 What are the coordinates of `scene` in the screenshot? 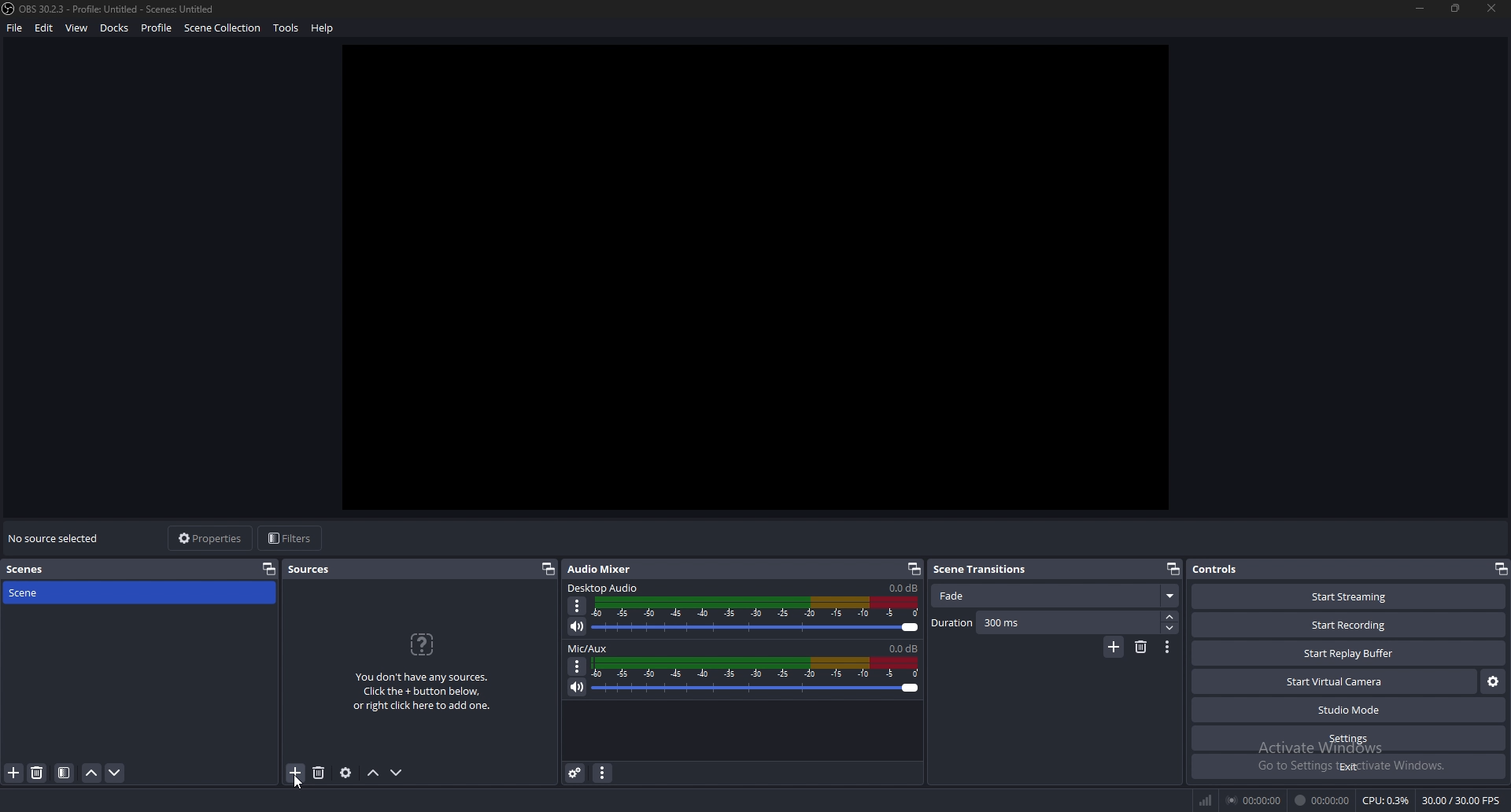 It's located at (54, 593).